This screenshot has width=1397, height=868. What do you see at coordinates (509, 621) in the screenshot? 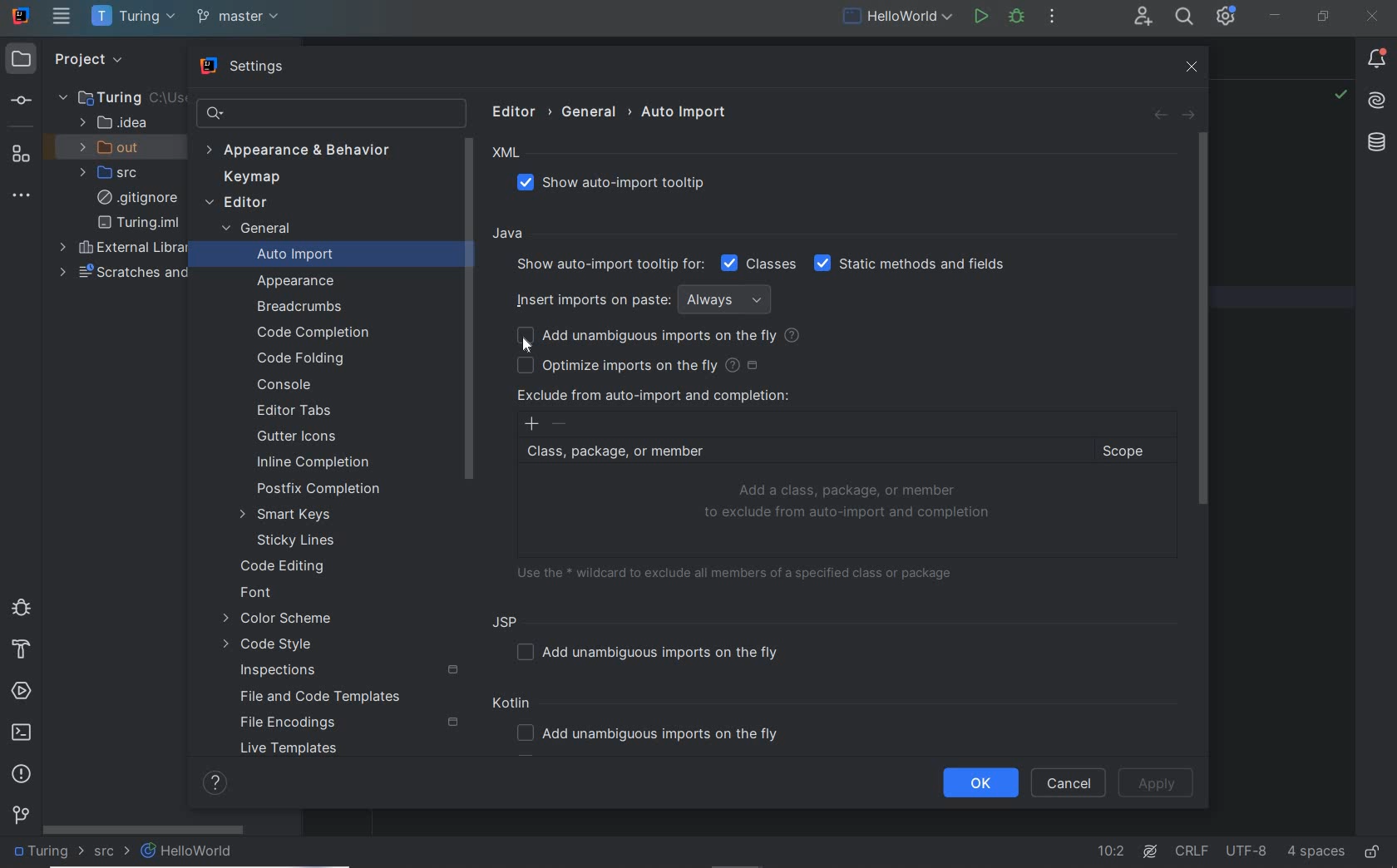
I see `JSP` at bounding box center [509, 621].